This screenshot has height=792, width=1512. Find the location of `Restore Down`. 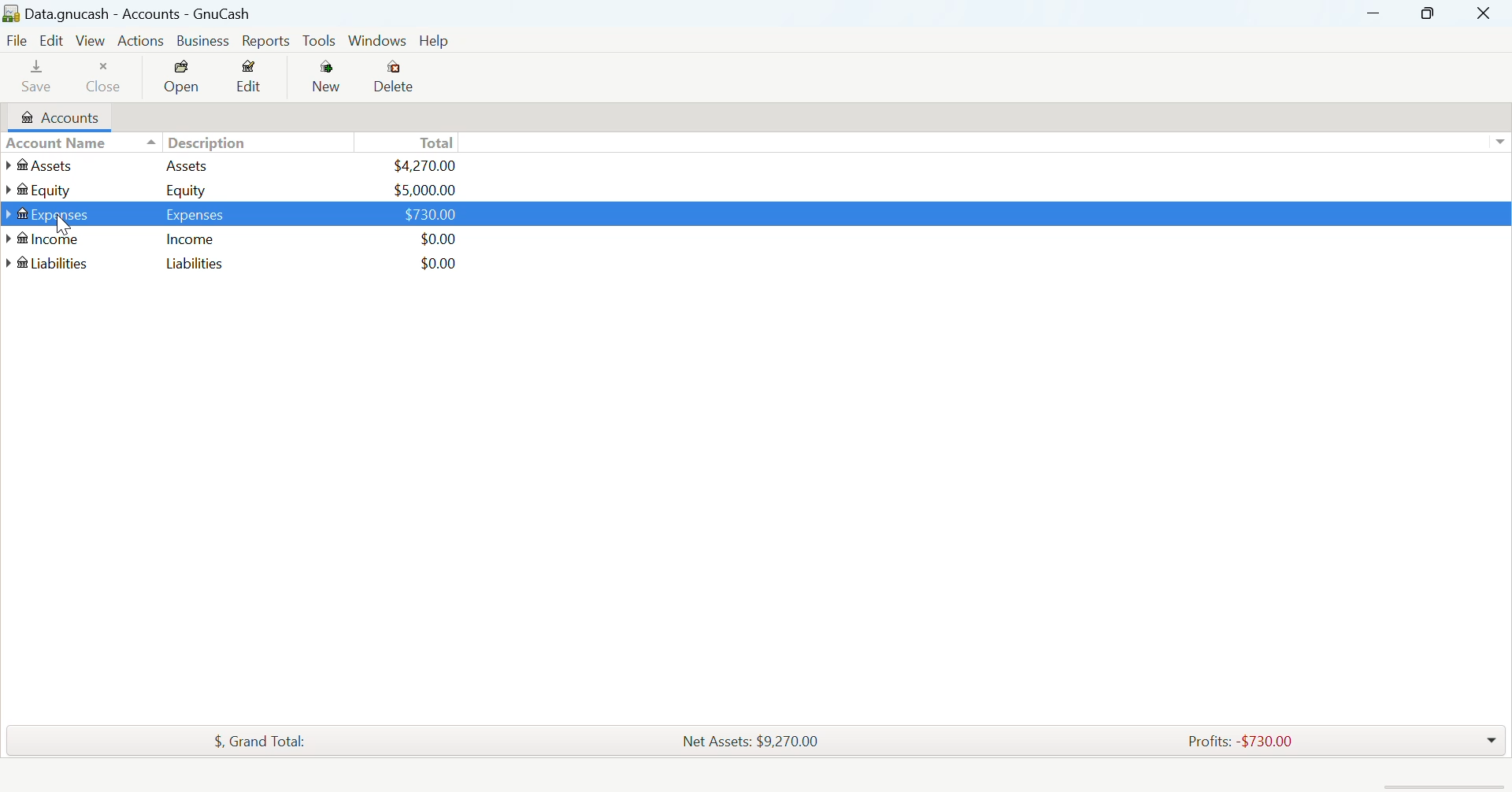

Restore Down is located at coordinates (1375, 13).